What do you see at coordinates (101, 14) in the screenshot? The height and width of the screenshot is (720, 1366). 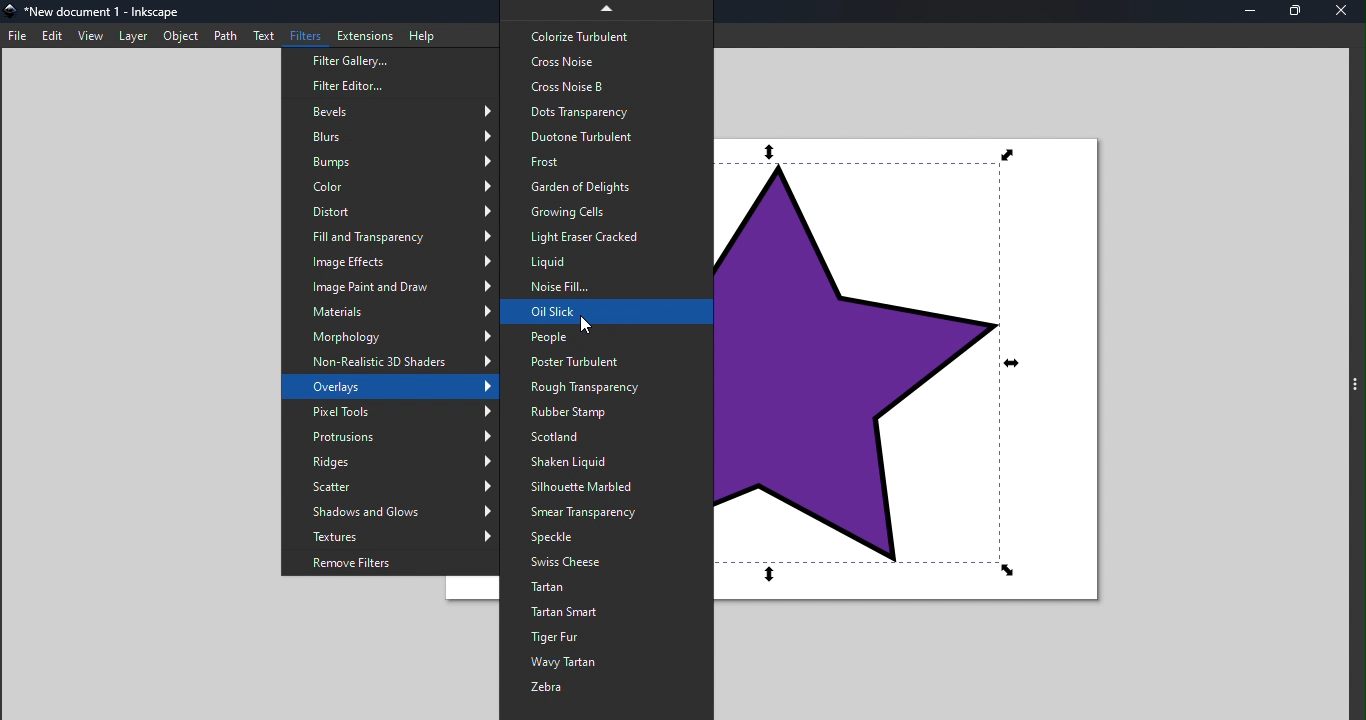 I see `File name` at bounding box center [101, 14].